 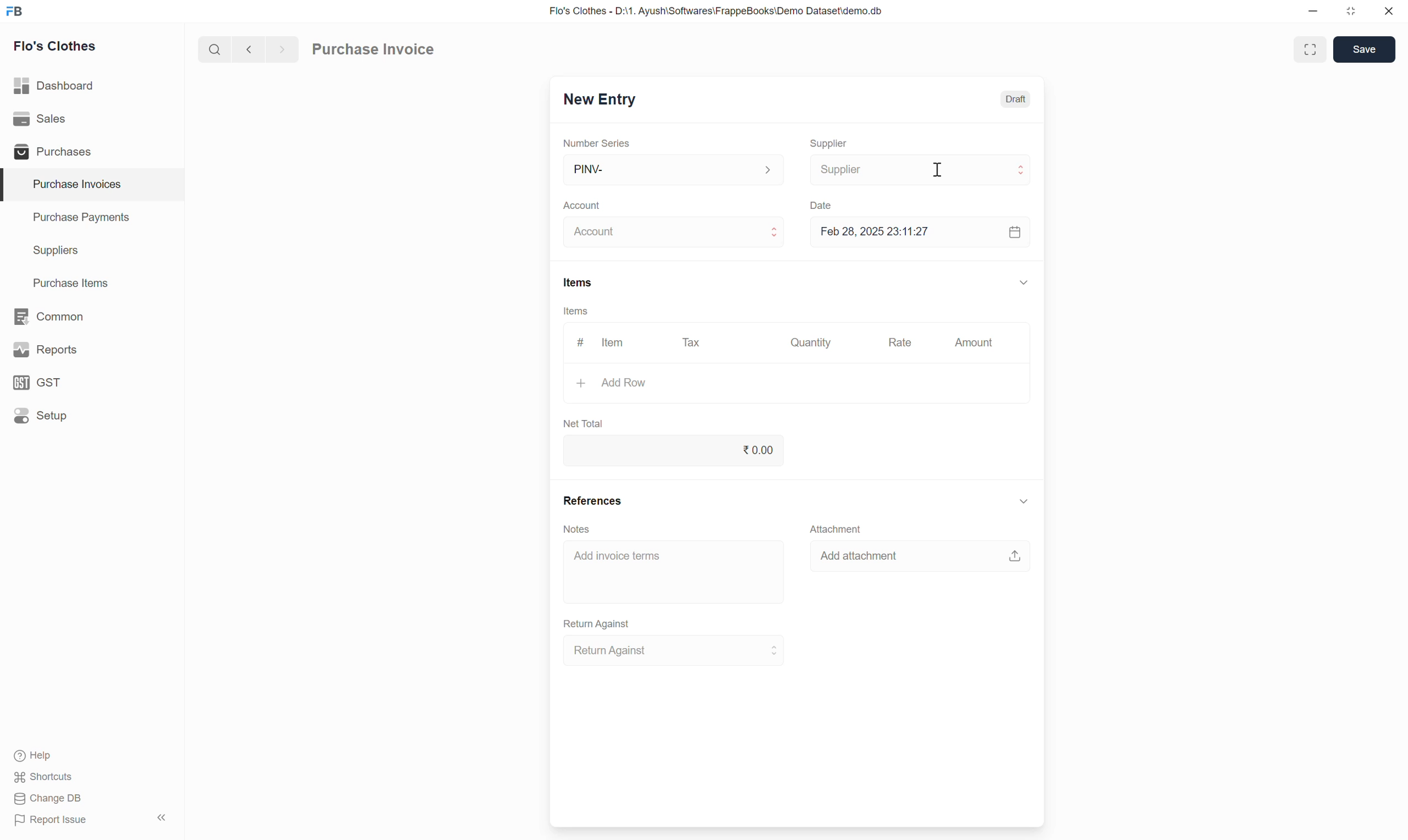 What do you see at coordinates (45, 777) in the screenshot?
I see `Shortcuts` at bounding box center [45, 777].